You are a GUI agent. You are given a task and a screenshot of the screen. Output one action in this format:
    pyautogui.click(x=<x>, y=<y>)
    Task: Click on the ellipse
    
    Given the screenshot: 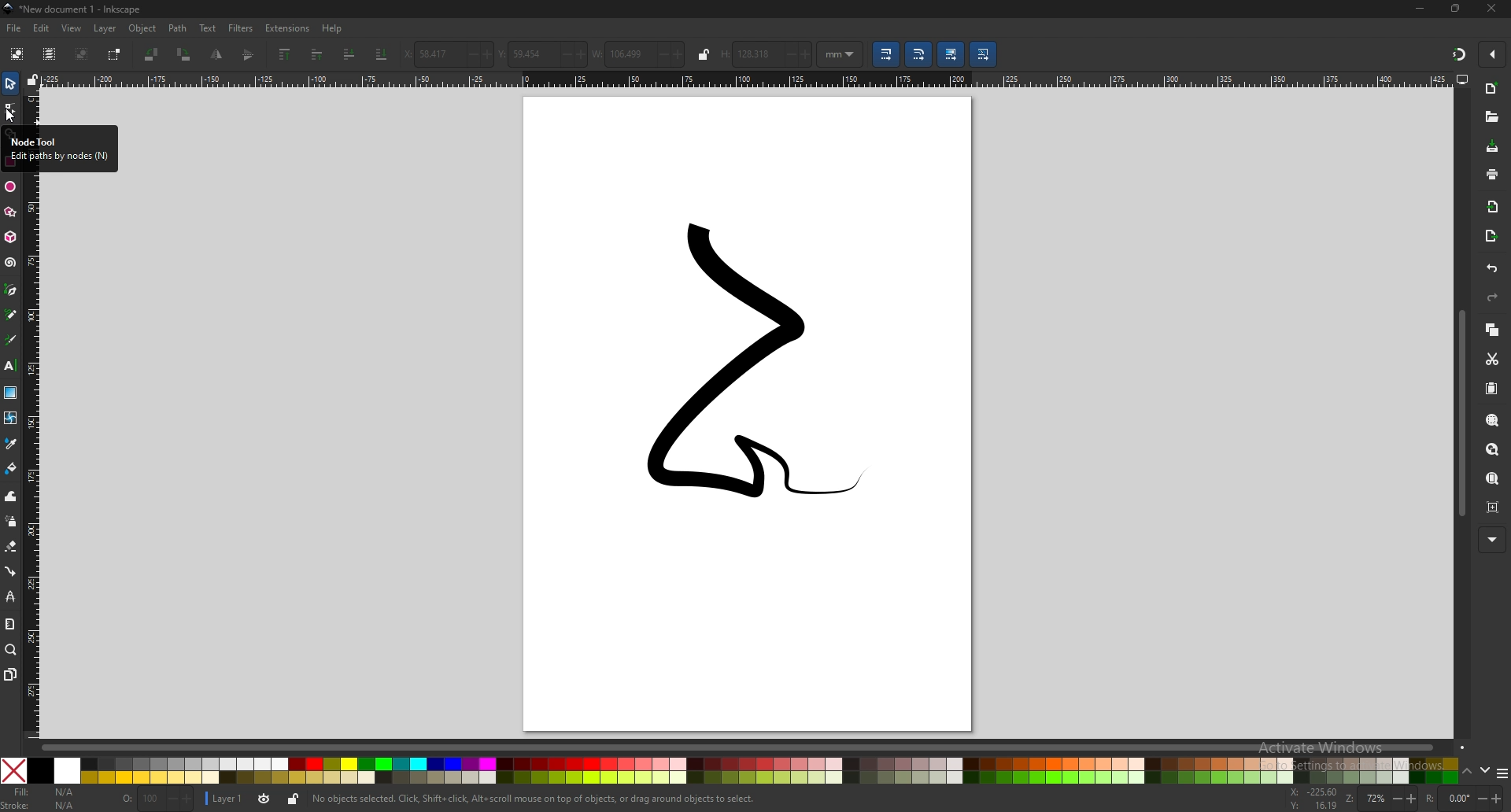 What is the action you would take?
    pyautogui.click(x=9, y=187)
    